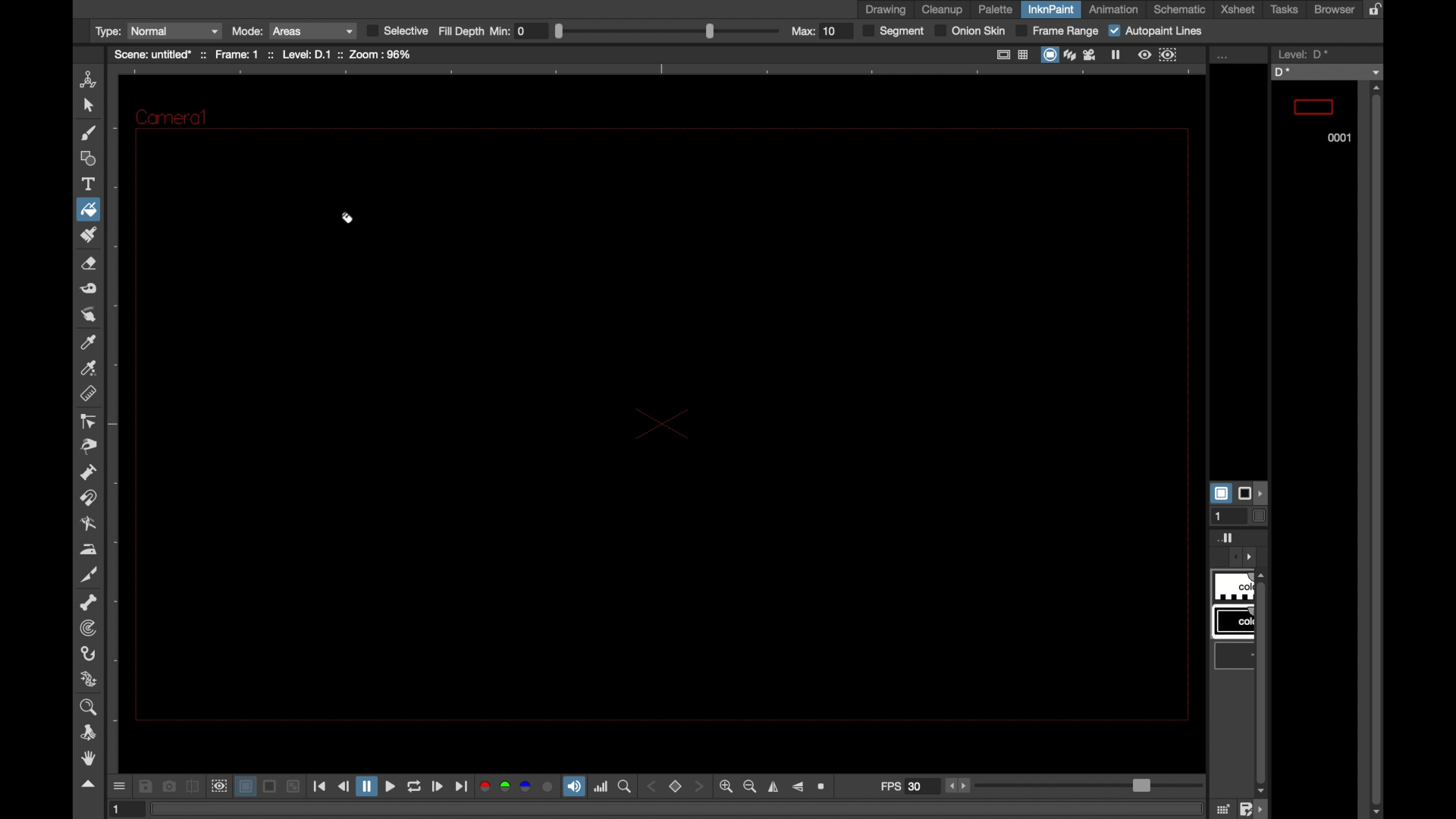 The width and height of the screenshot is (1456, 819). What do you see at coordinates (89, 369) in the screenshot?
I see `rgb picker tool` at bounding box center [89, 369].